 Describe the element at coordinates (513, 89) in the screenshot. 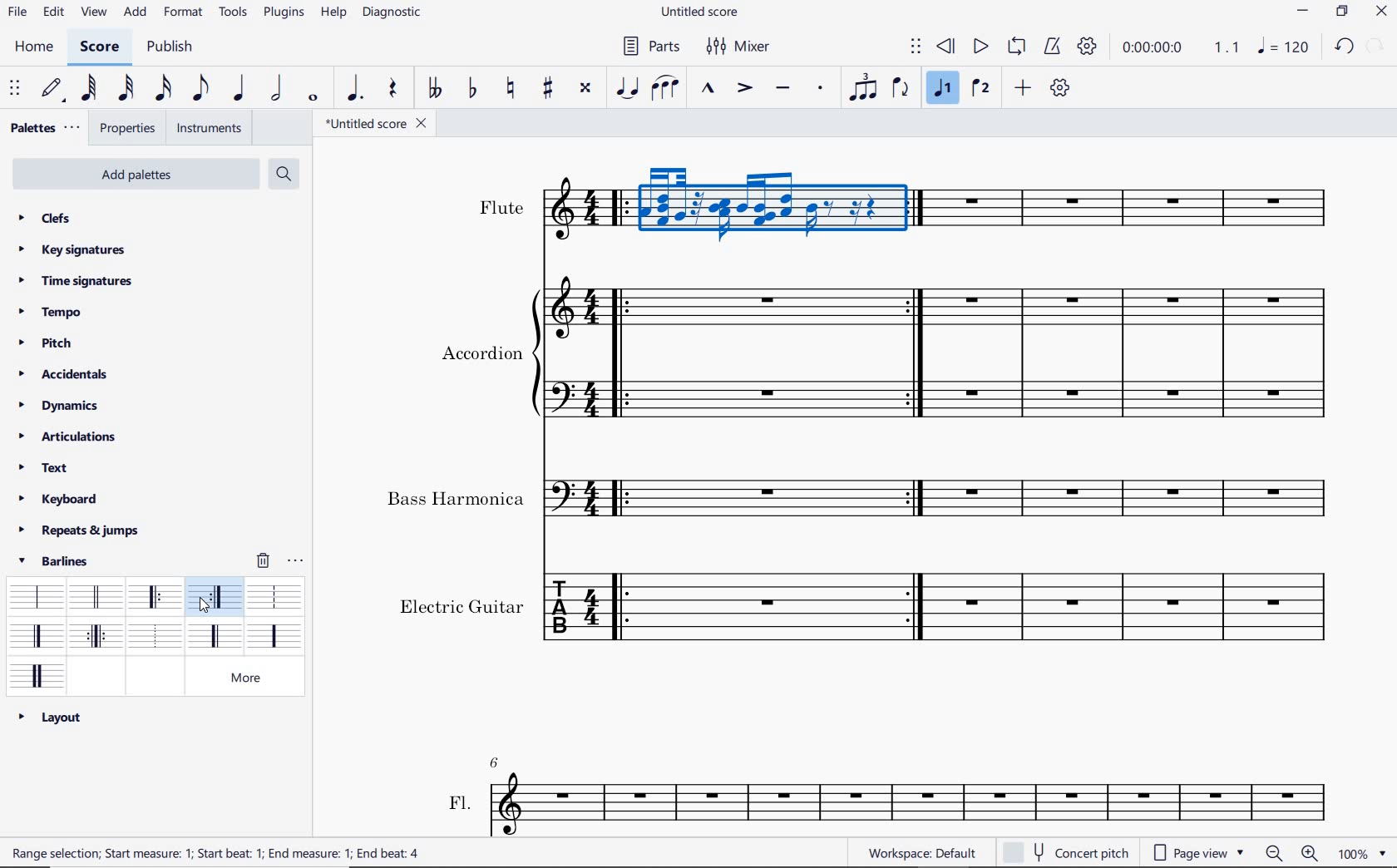

I see `toggle natural` at that location.